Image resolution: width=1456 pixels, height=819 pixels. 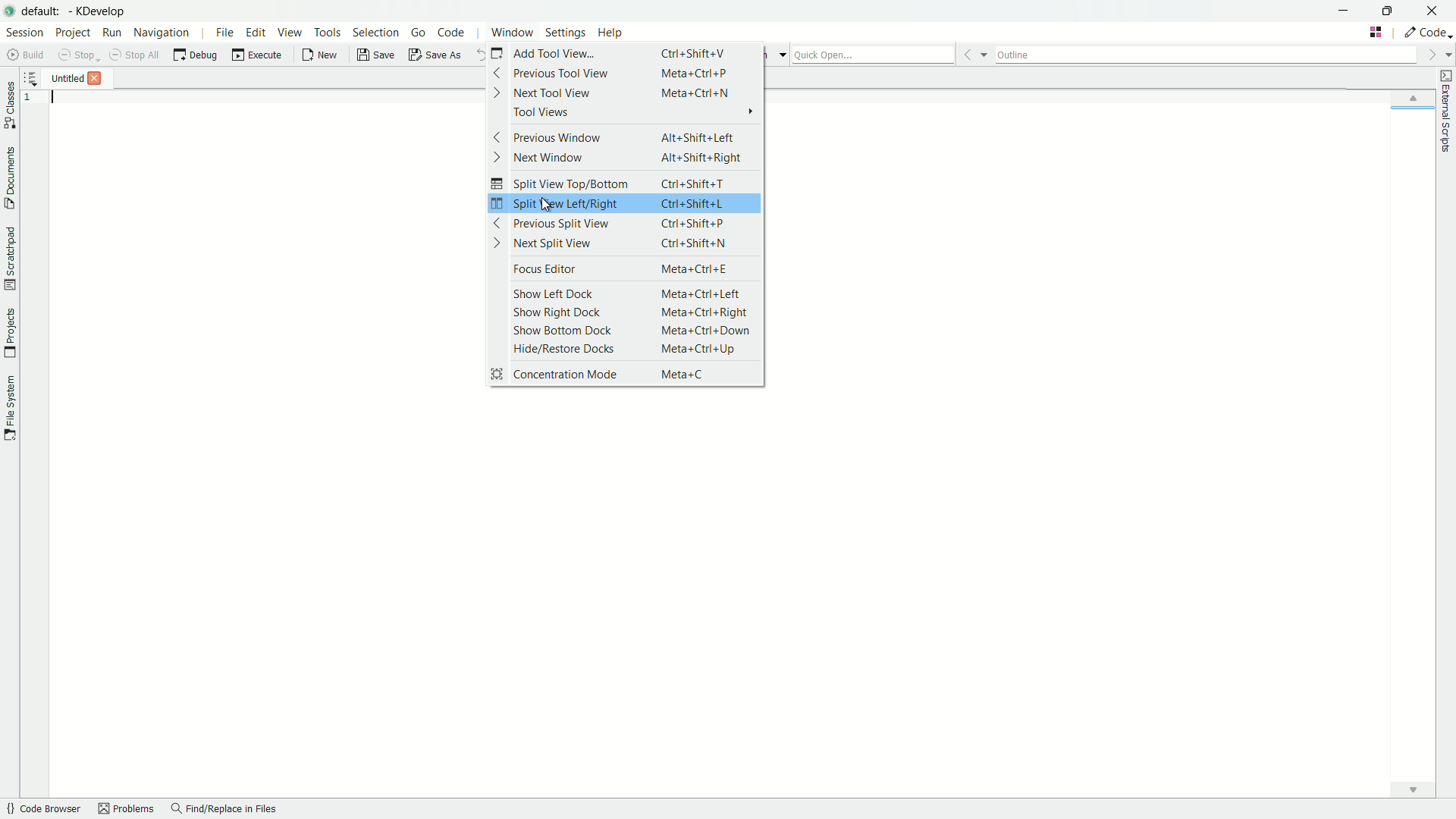 What do you see at coordinates (693, 223) in the screenshot?
I see `ctrl+Shift+P` at bounding box center [693, 223].